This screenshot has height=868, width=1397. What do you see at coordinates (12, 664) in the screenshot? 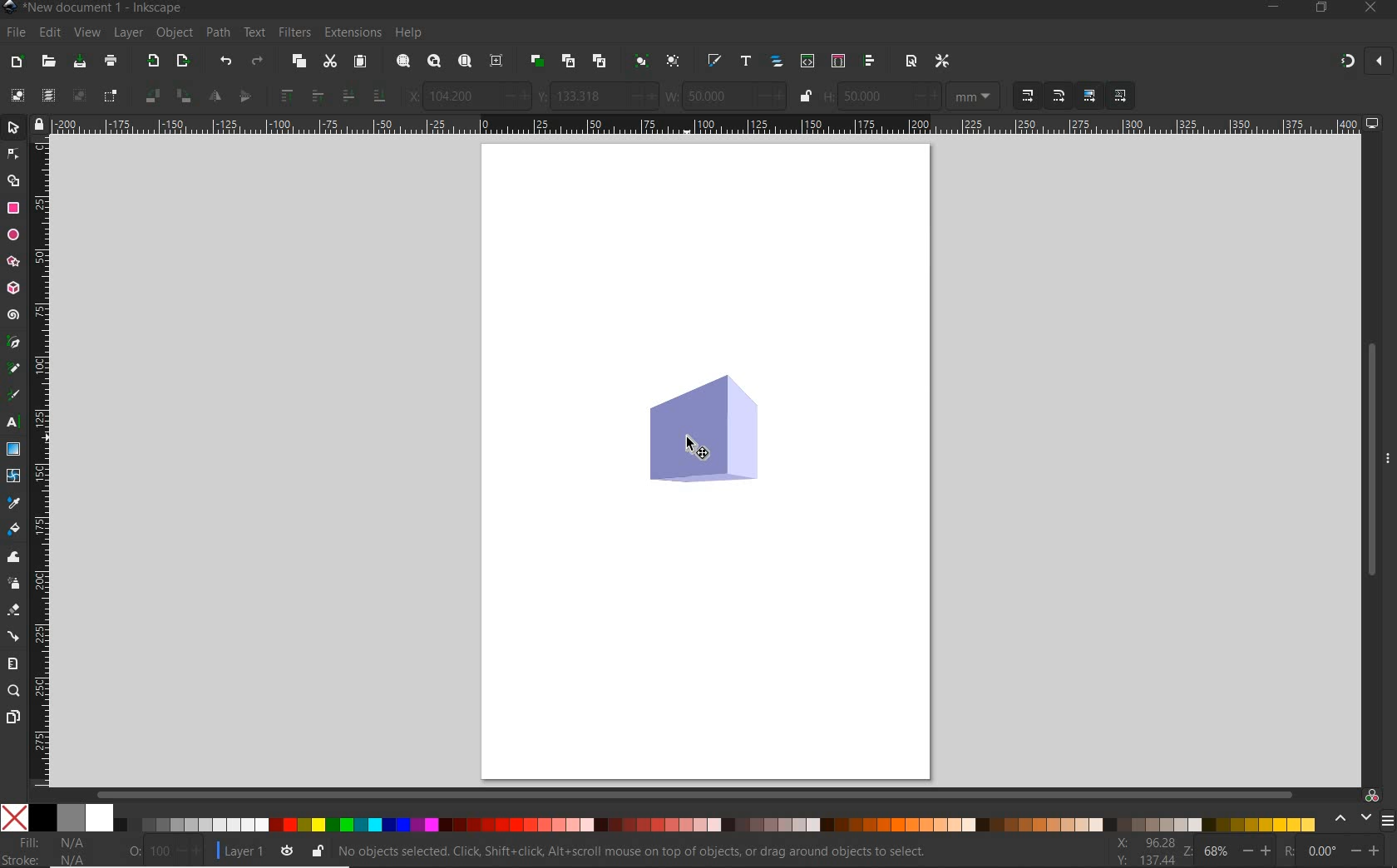
I see `measure tool` at bounding box center [12, 664].